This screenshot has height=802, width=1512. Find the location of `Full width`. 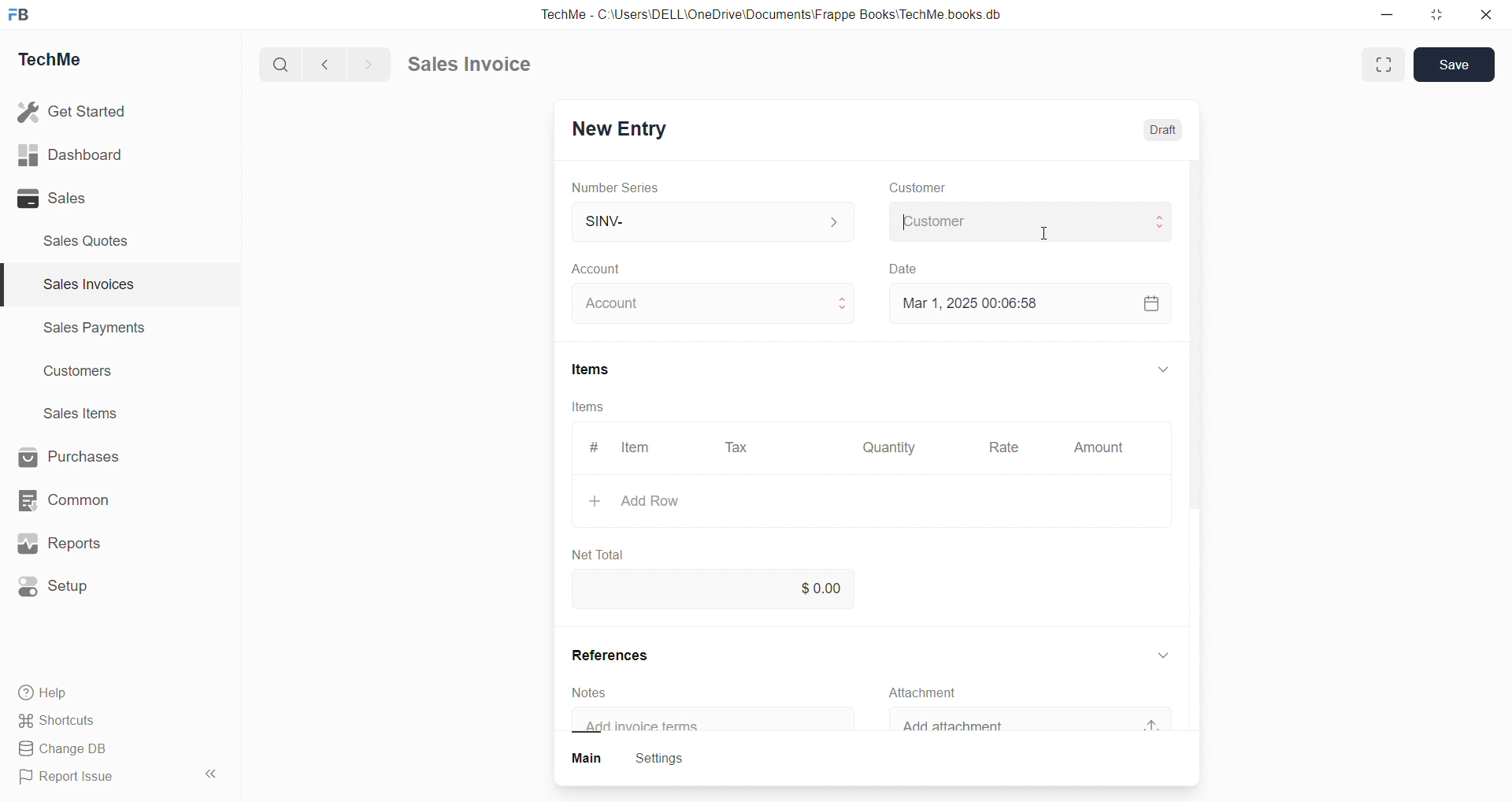

Full width is located at coordinates (1381, 64).